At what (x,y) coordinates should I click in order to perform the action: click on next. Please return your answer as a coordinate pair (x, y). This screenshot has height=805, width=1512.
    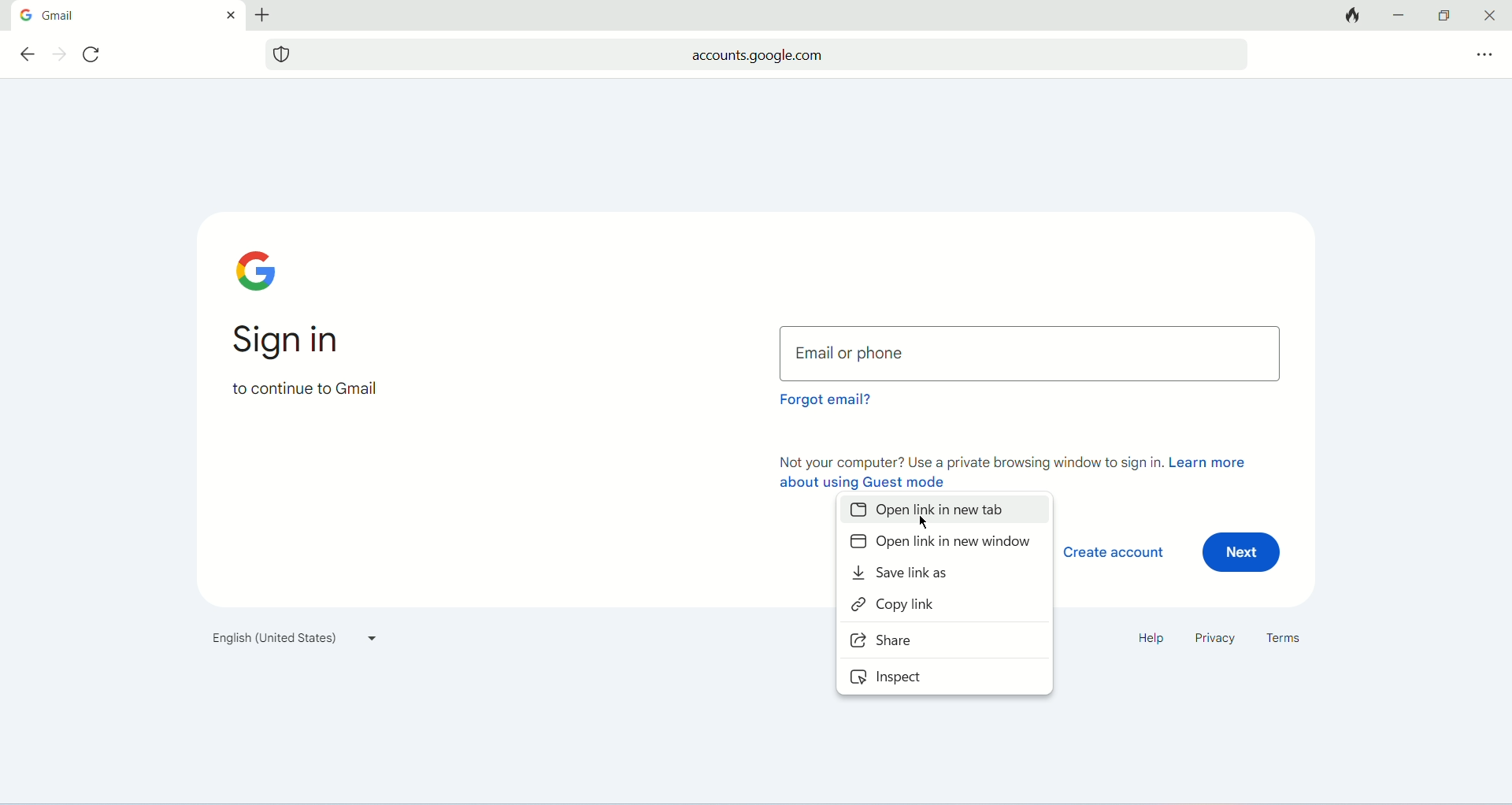
    Looking at the image, I should click on (60, 54).